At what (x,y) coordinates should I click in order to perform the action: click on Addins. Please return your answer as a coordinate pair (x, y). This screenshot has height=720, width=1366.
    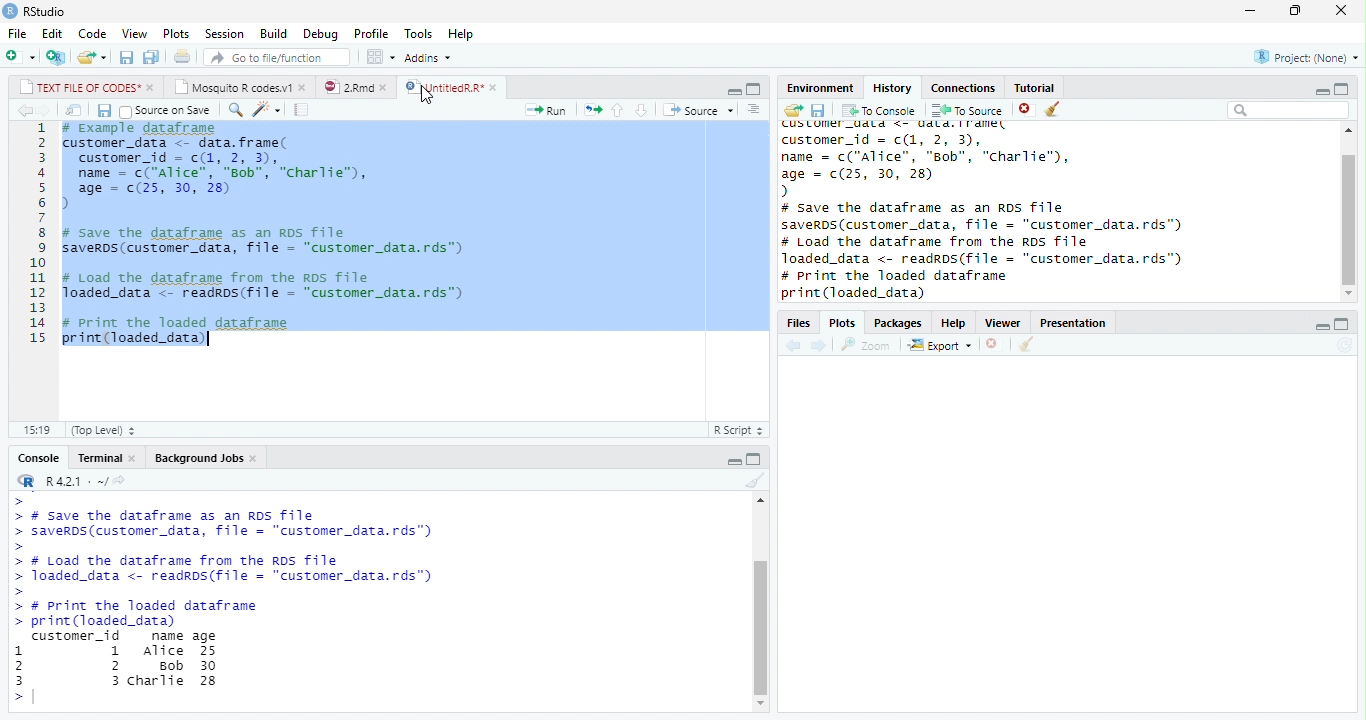
    Looking at the image, I should click on (428, 58).